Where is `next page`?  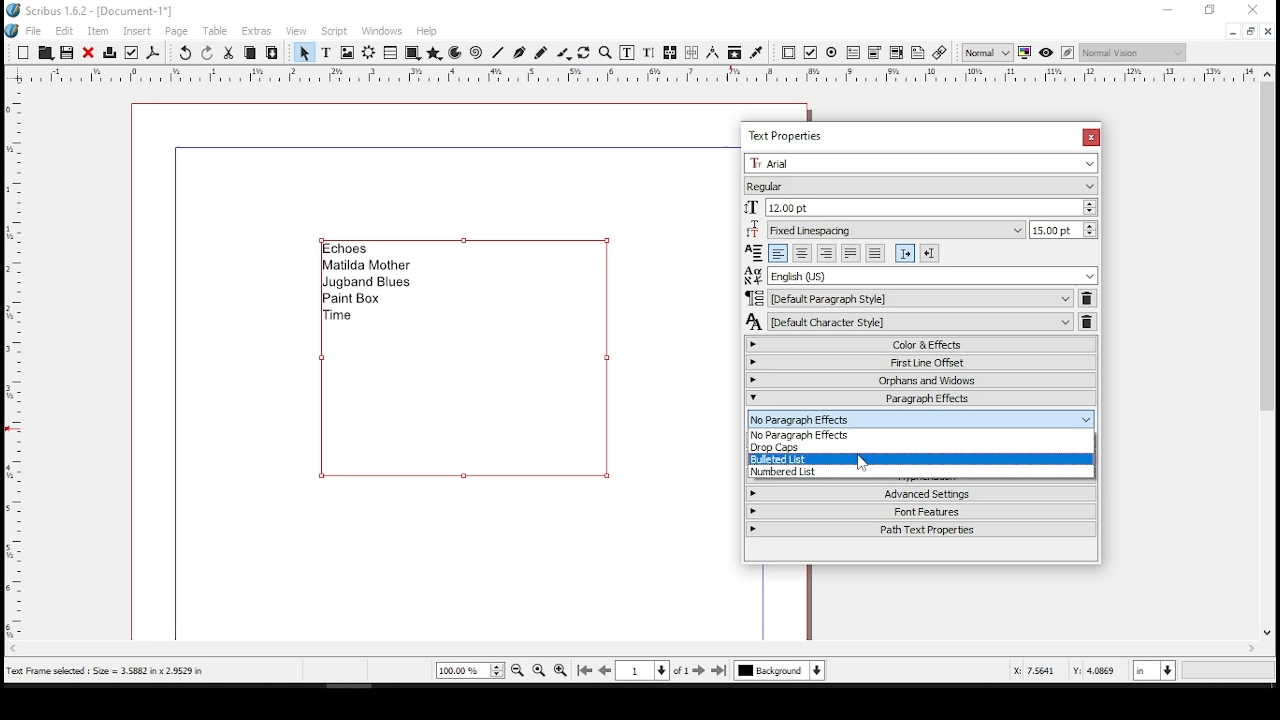
next page is located at coordinates (699, 670).